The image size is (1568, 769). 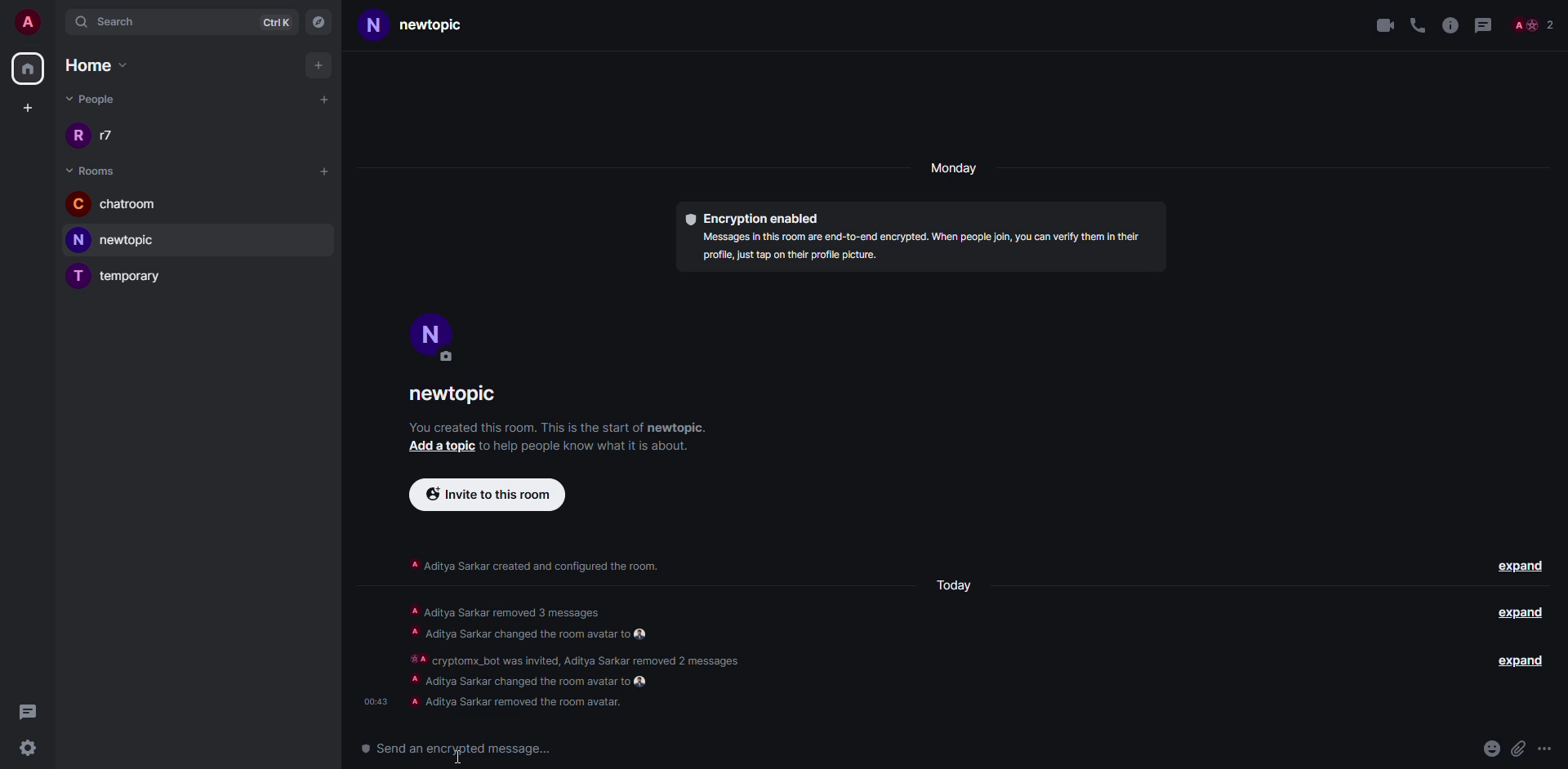 I want to click on expand, so click(x=1521, y=615).